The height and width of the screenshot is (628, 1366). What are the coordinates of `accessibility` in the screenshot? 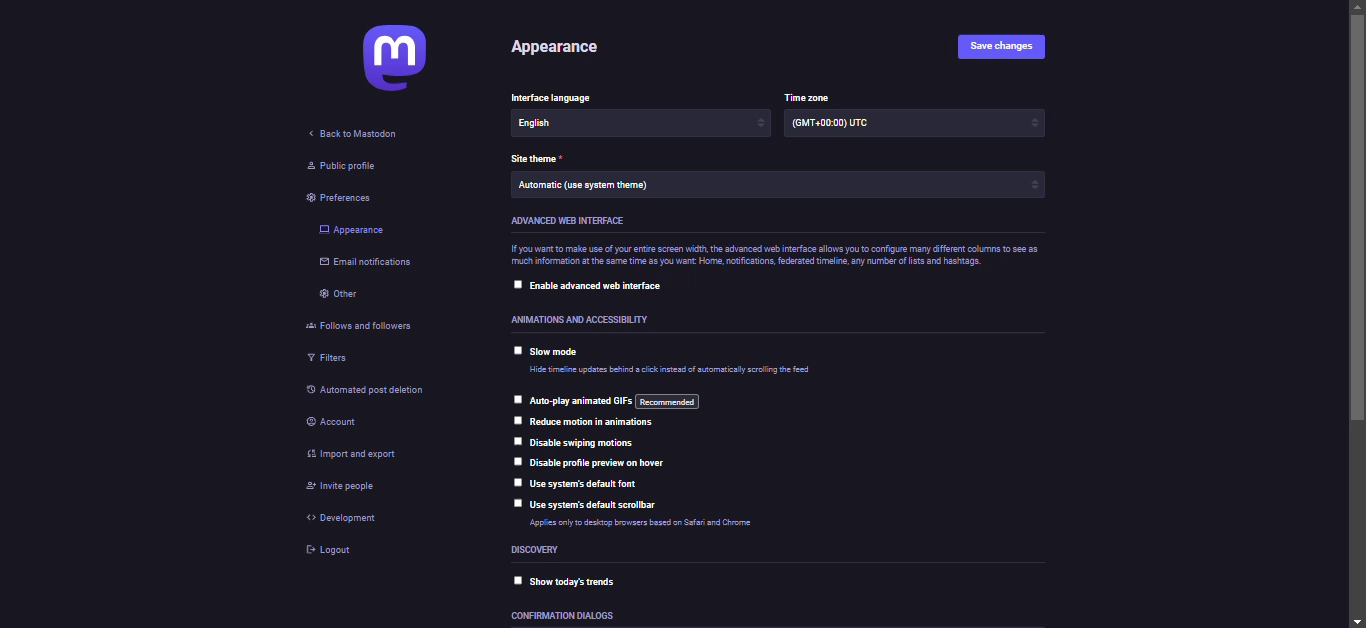 It's located at (573, 320).